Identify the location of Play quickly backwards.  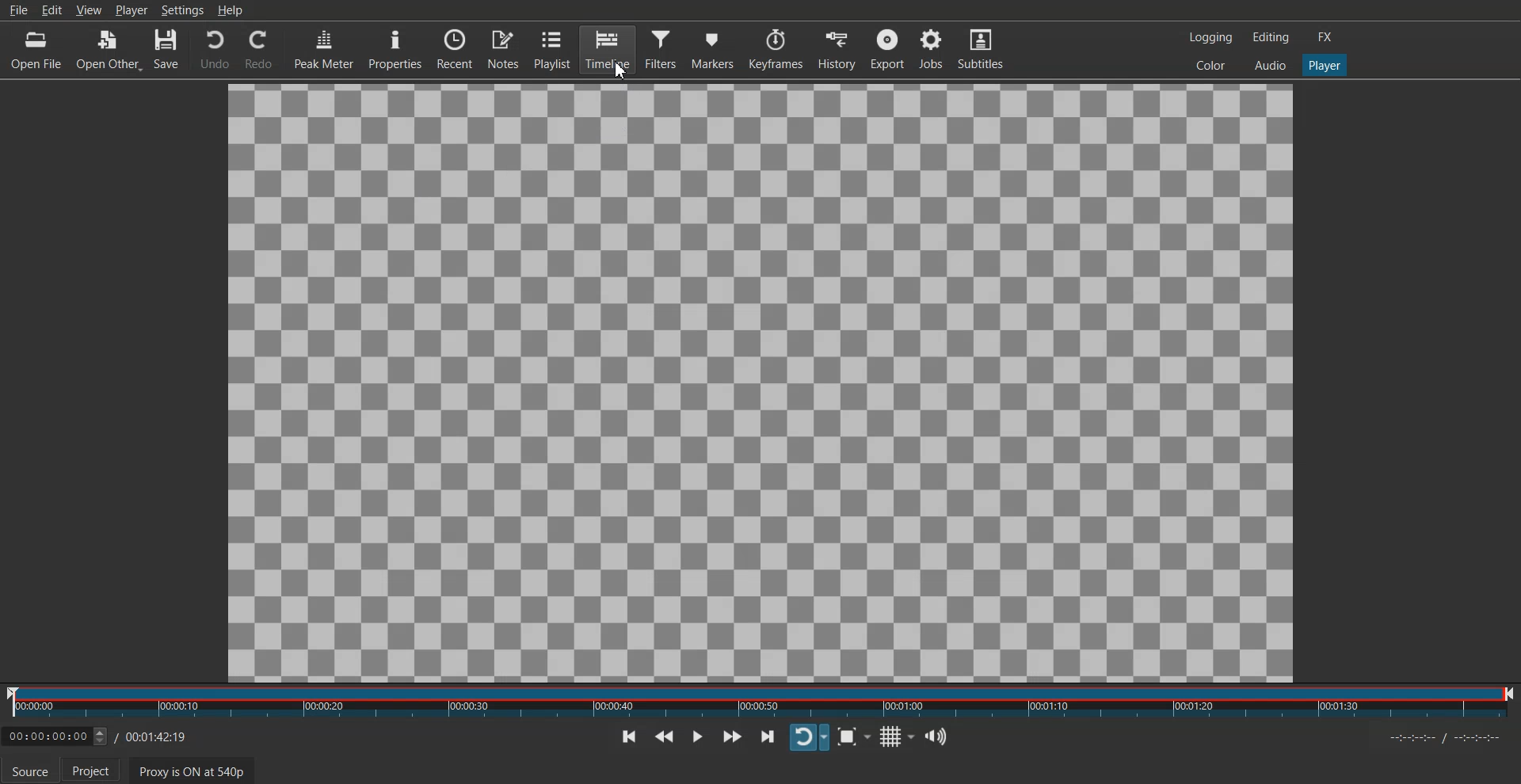
(665, 736).